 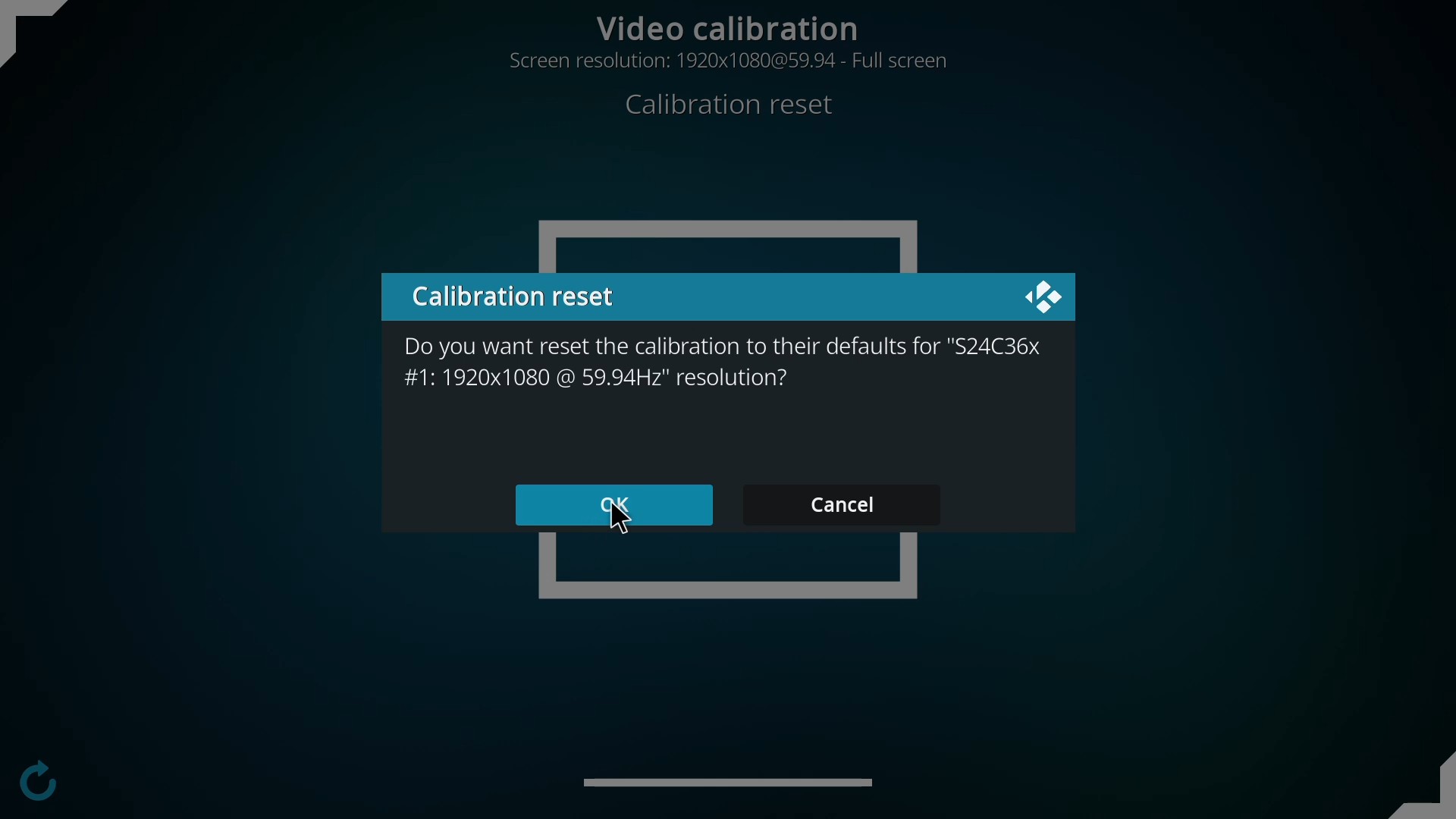 What do you see at coordinates (840, 503) in the screenshot?
I see `cancel` at bounding box center [840, 503].